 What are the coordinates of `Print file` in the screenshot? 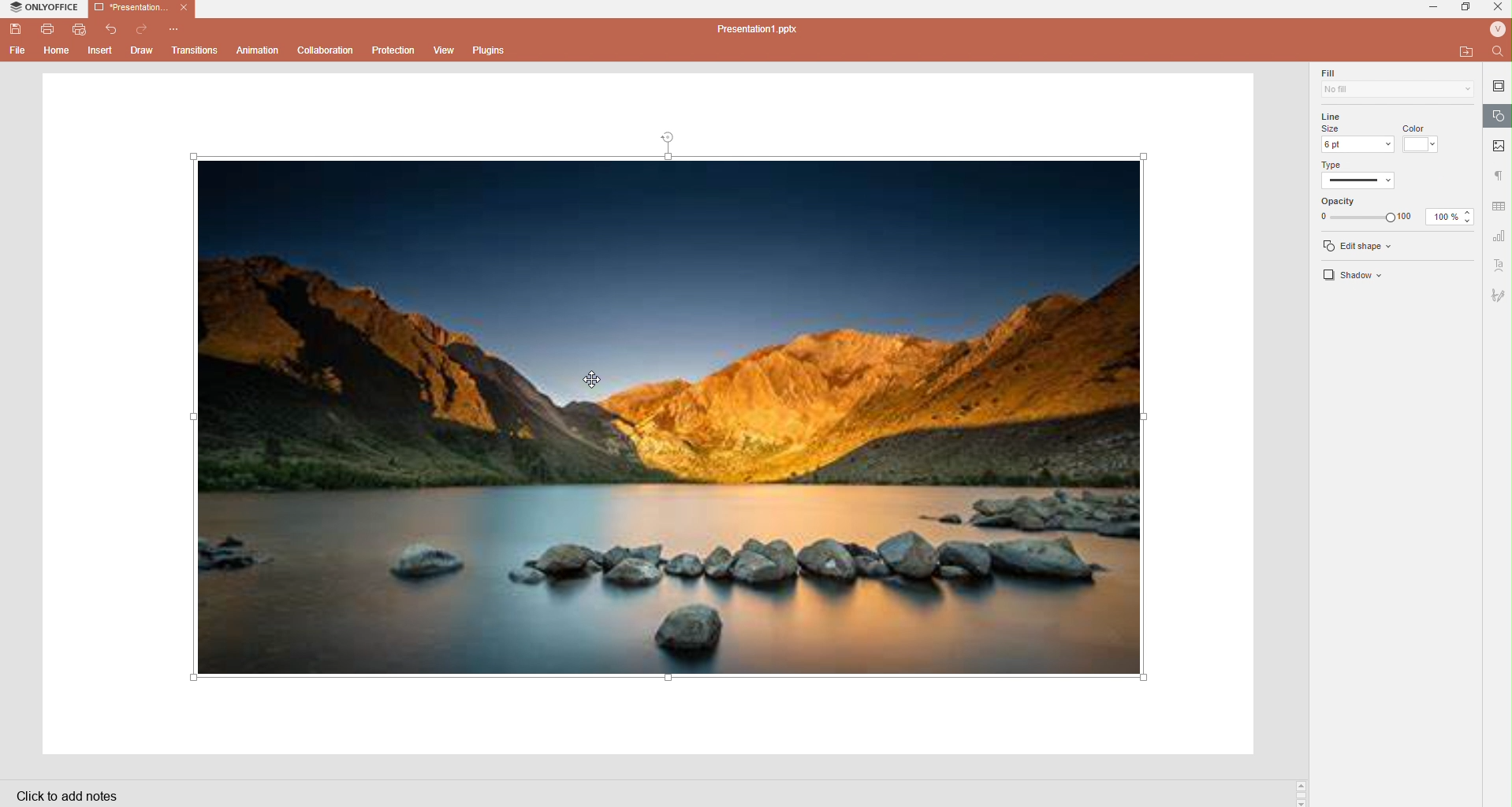 It's located at (47, 30).